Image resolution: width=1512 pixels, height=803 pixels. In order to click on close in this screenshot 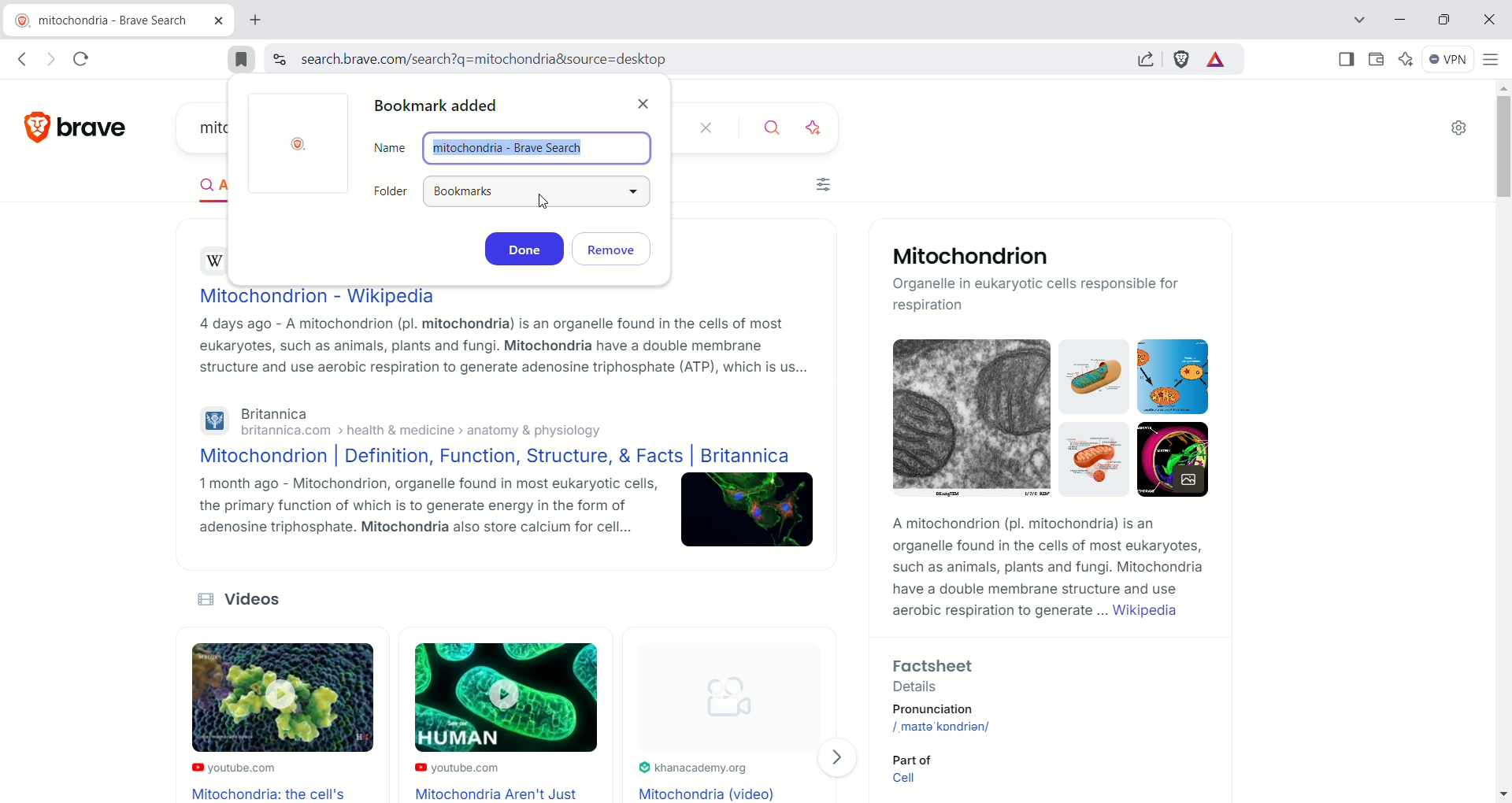, I will do `click(1488, 21)`.